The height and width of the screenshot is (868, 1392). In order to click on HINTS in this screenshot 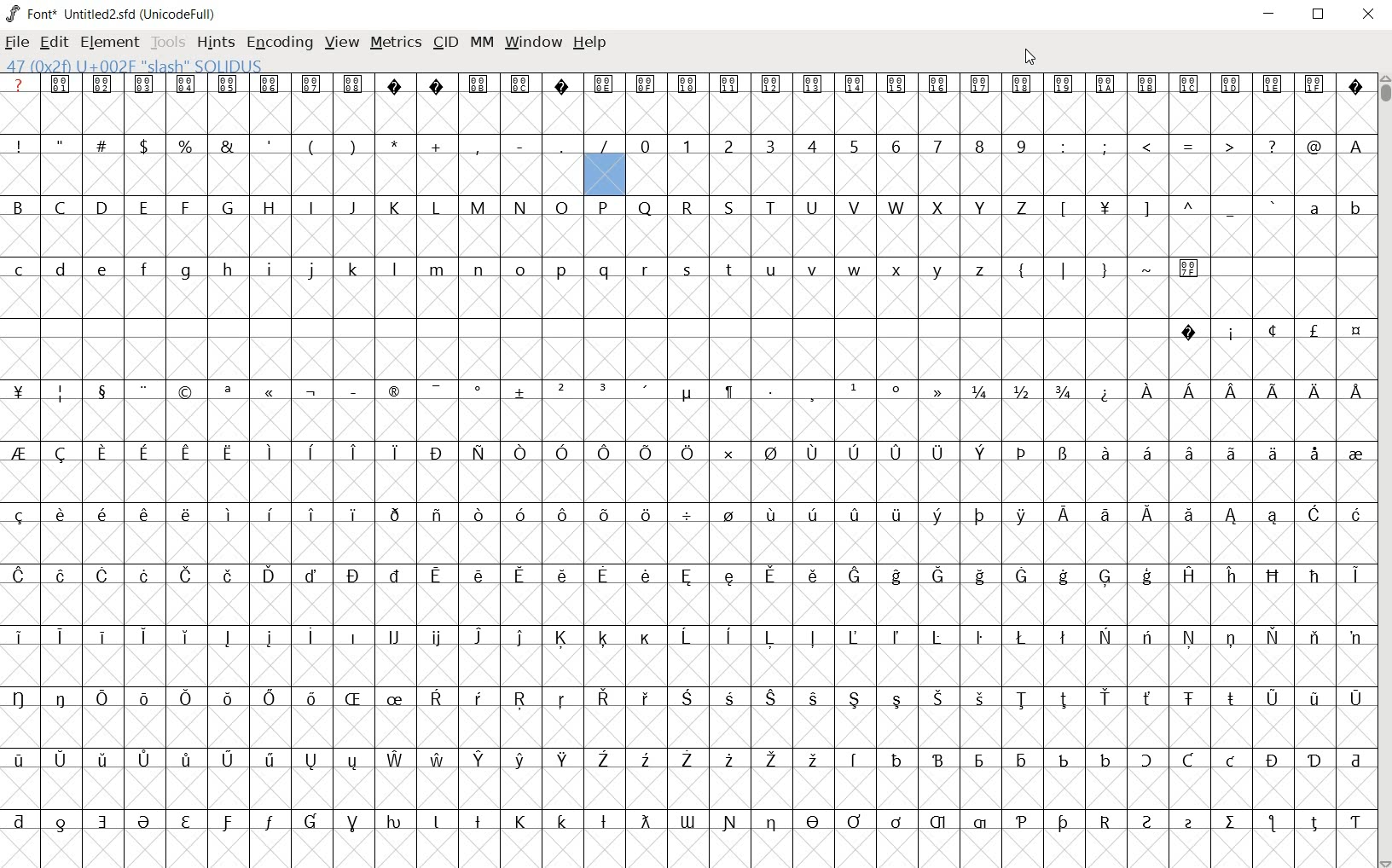, I will do `click(216, 43)`.